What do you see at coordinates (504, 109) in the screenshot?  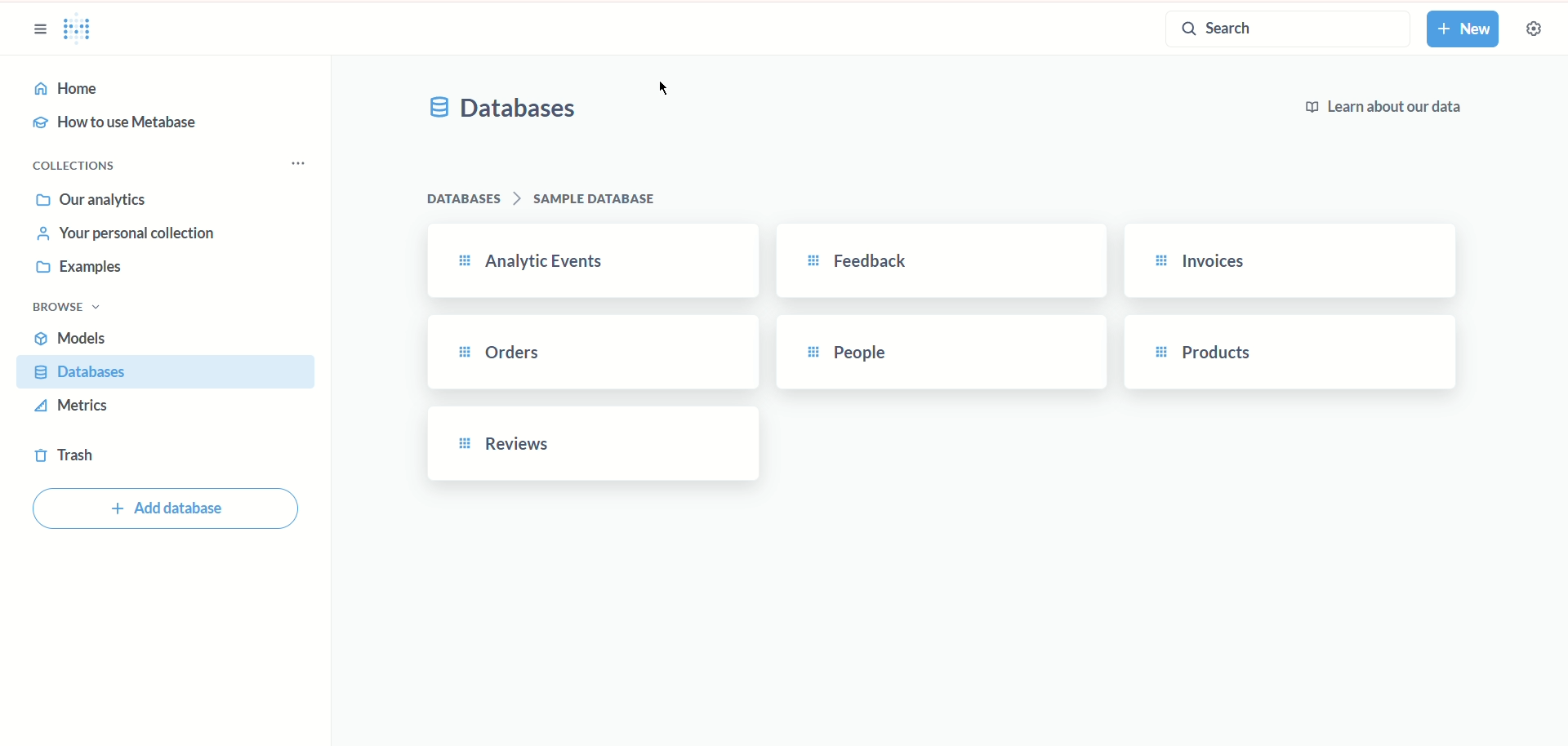 I see `database` at bounding box center [504, 109].